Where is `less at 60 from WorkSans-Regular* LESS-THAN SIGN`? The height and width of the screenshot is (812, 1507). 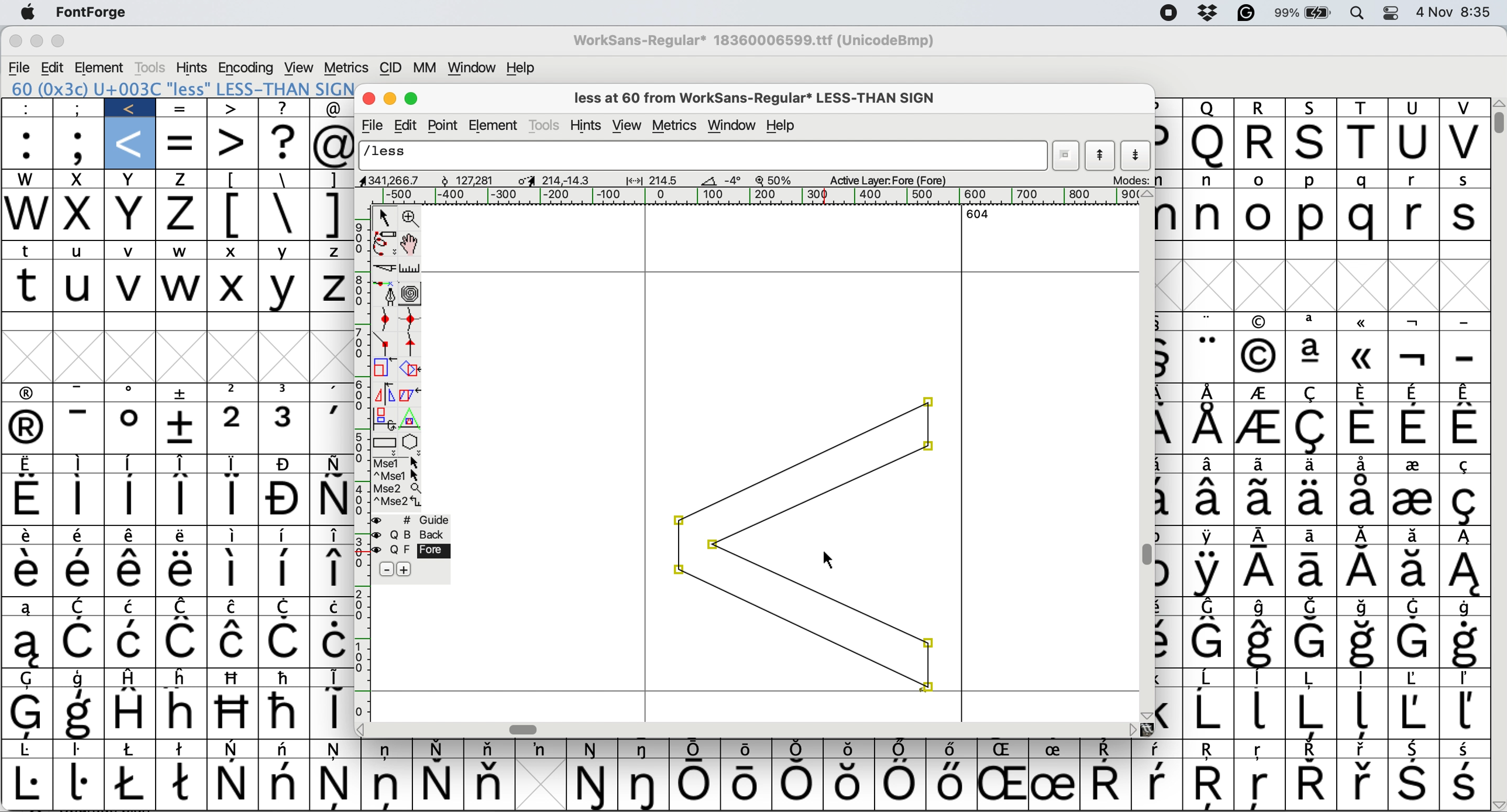
less at 60 from WorkSans-Regular* LESS-THAN SIGN is located at coordinates (761, 96).